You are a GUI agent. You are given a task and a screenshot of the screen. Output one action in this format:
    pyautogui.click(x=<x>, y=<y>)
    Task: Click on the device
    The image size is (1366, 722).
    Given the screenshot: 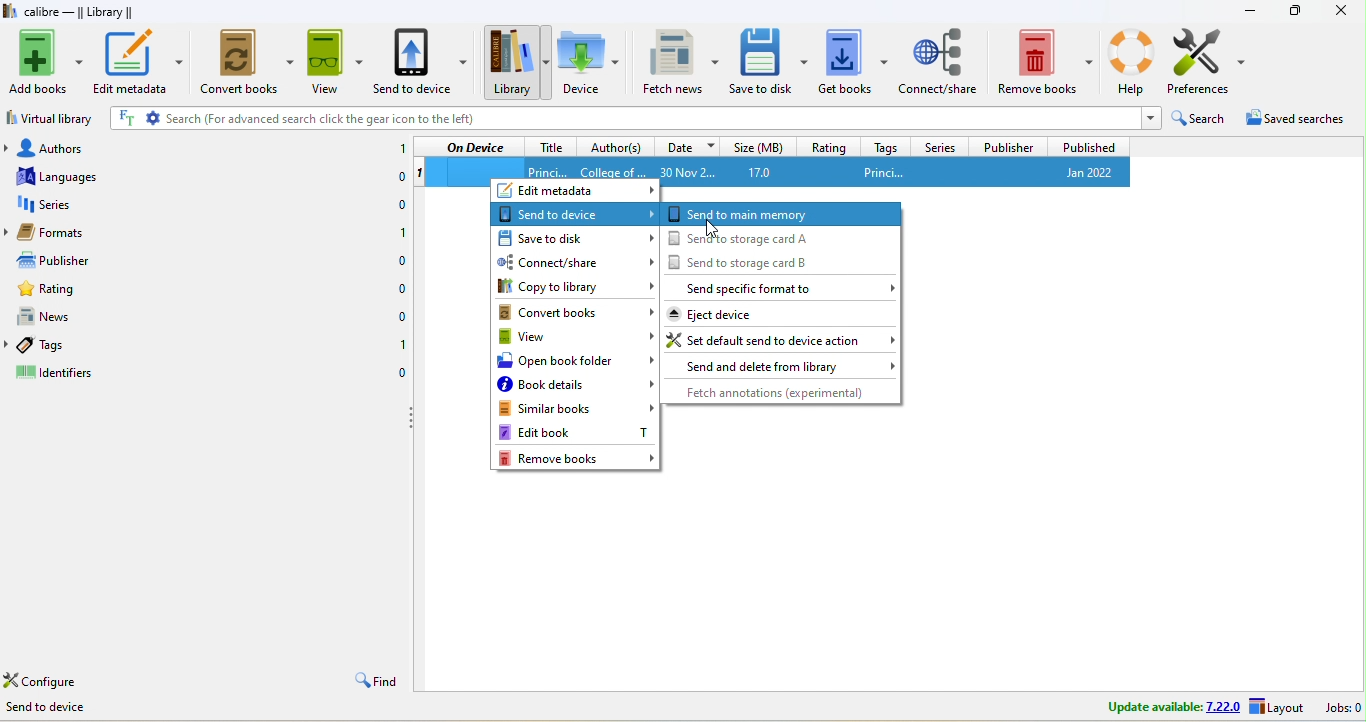 What is the action you would take?
    pyautogui.click(x=588, y=61)
    